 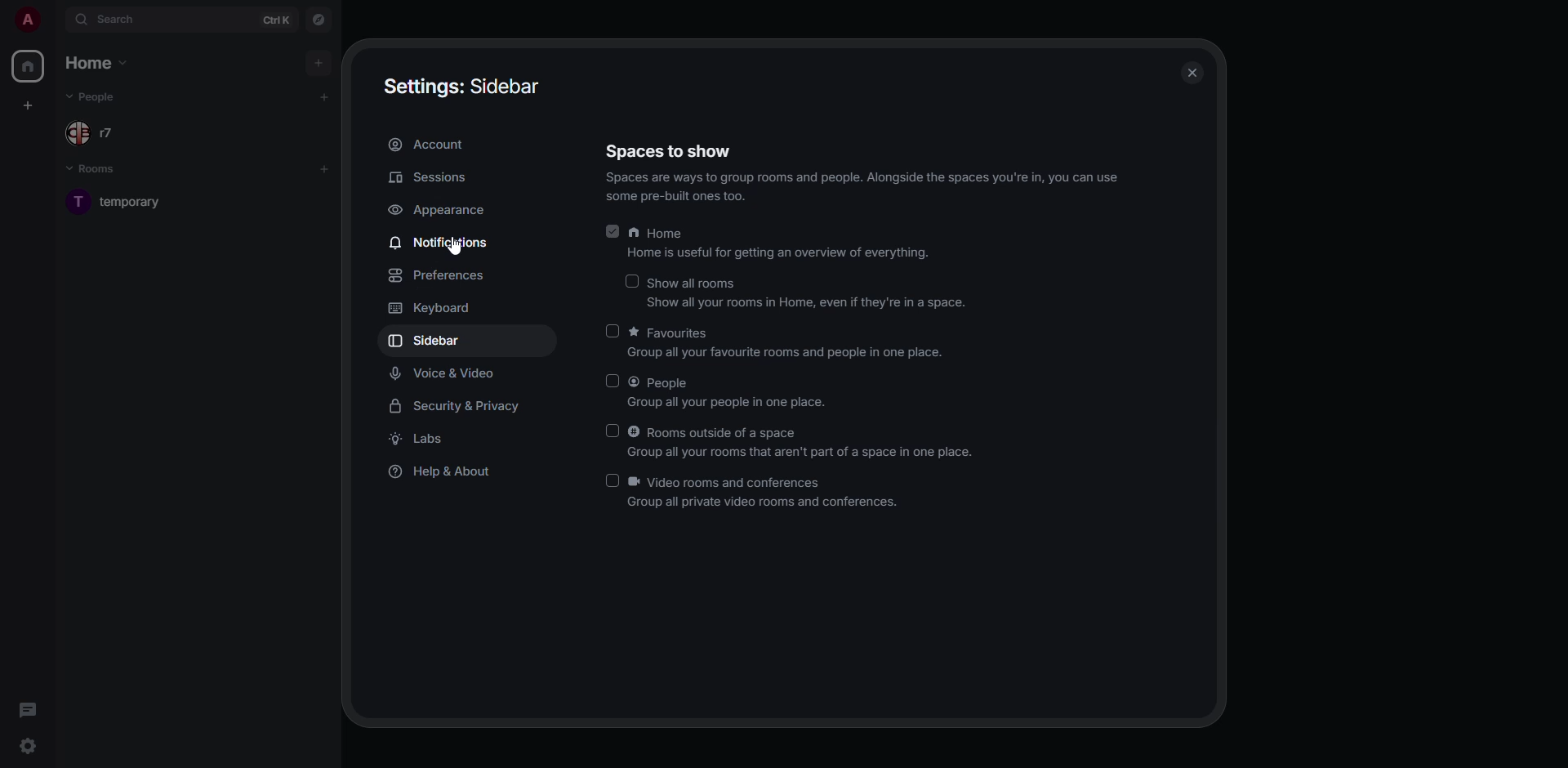 I want to click on click to enable, so click(x=611, y=480).